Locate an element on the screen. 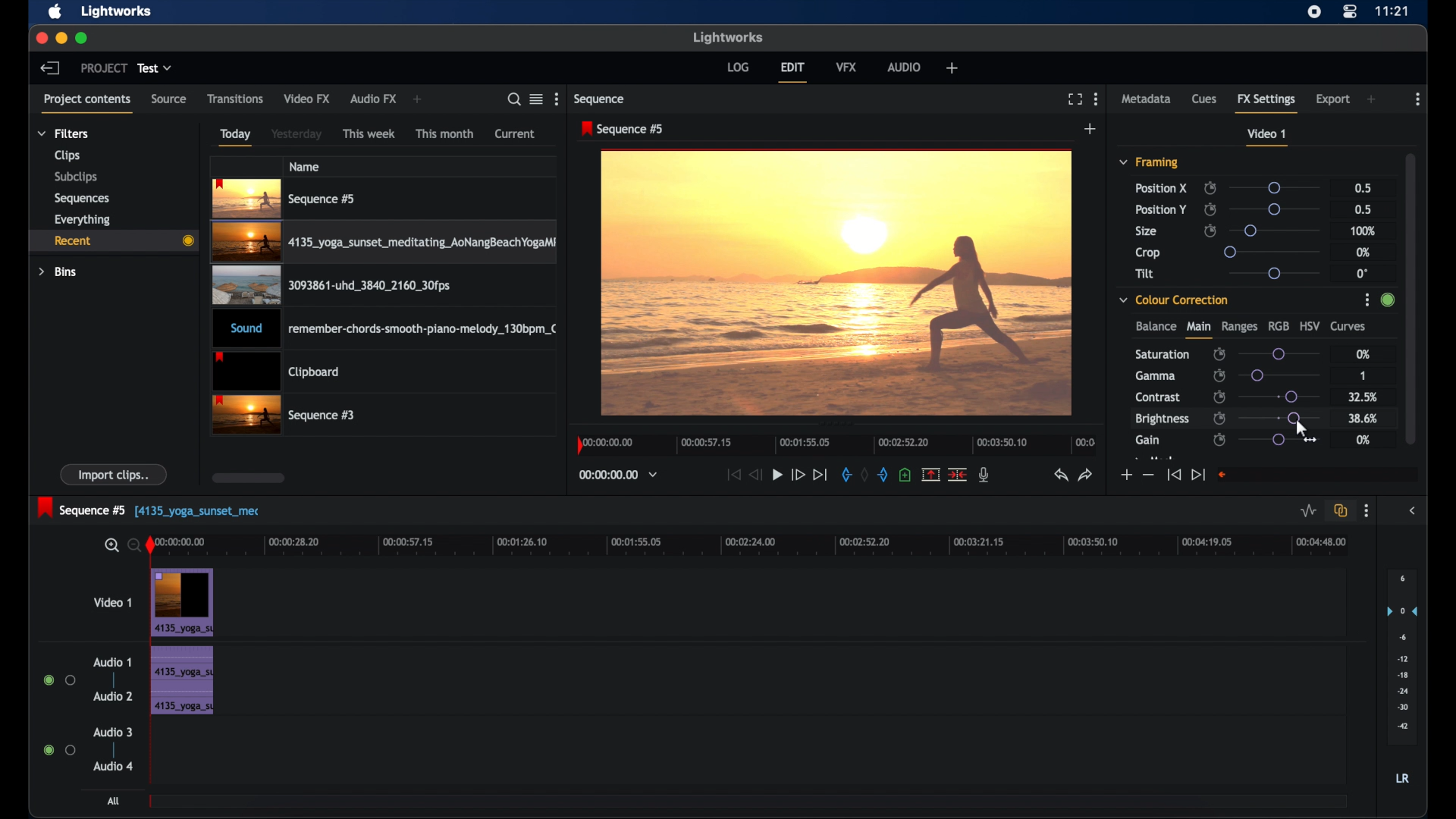 The height and width of the screenshot is (819, 1456). 0% is located at coordinates (1363, 440).